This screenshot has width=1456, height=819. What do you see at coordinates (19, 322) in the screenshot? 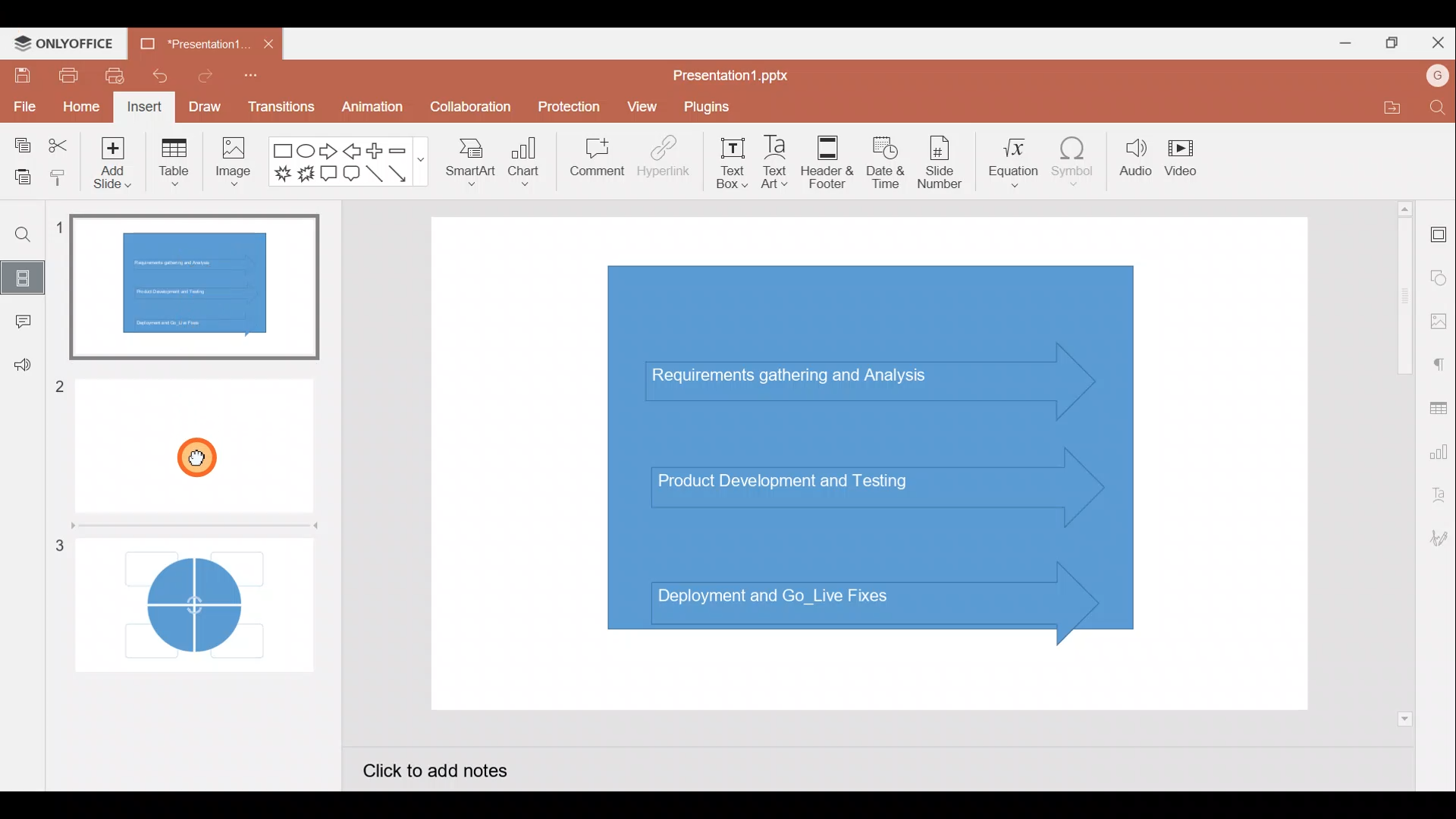
I see `Comment` at bounding box center [19, 322].